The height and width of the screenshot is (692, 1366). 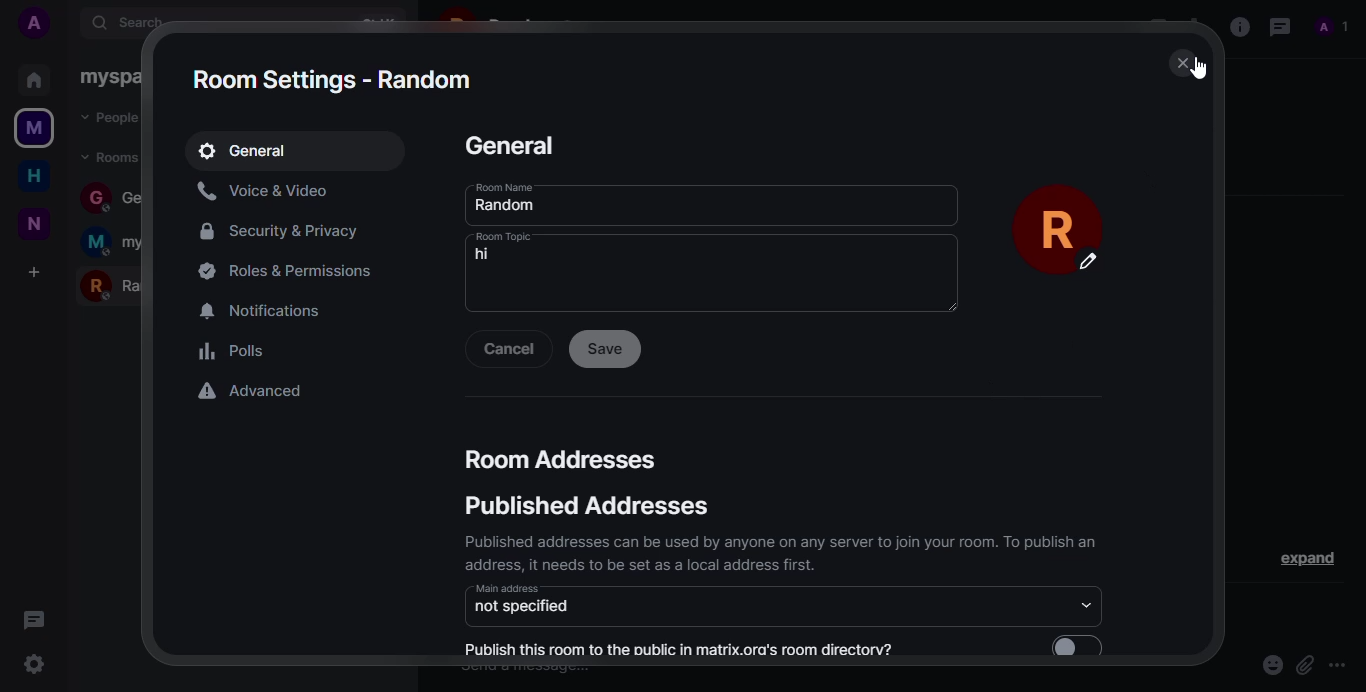 What do you see at coordinates (268, 190) in the screenshot?
I see `voice&video` at bounding box center [268, 190].